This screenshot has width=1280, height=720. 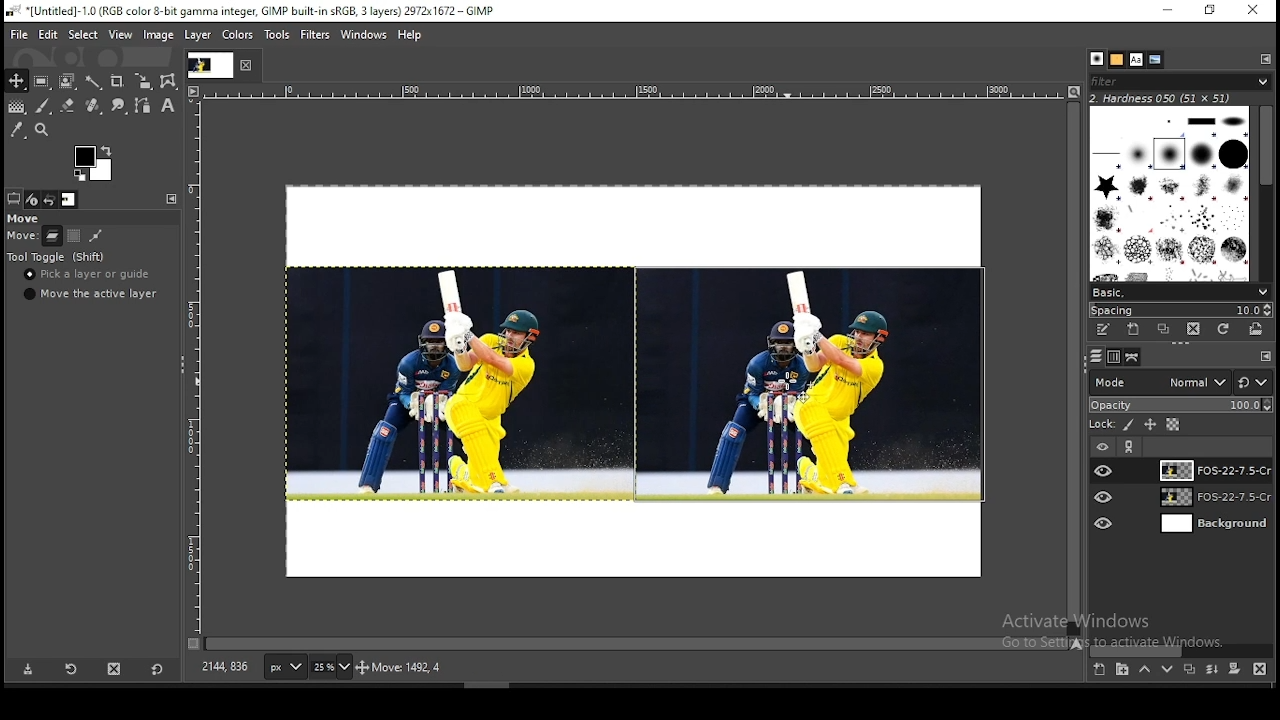 I want to click on cursor, so click(x=789, y=383).